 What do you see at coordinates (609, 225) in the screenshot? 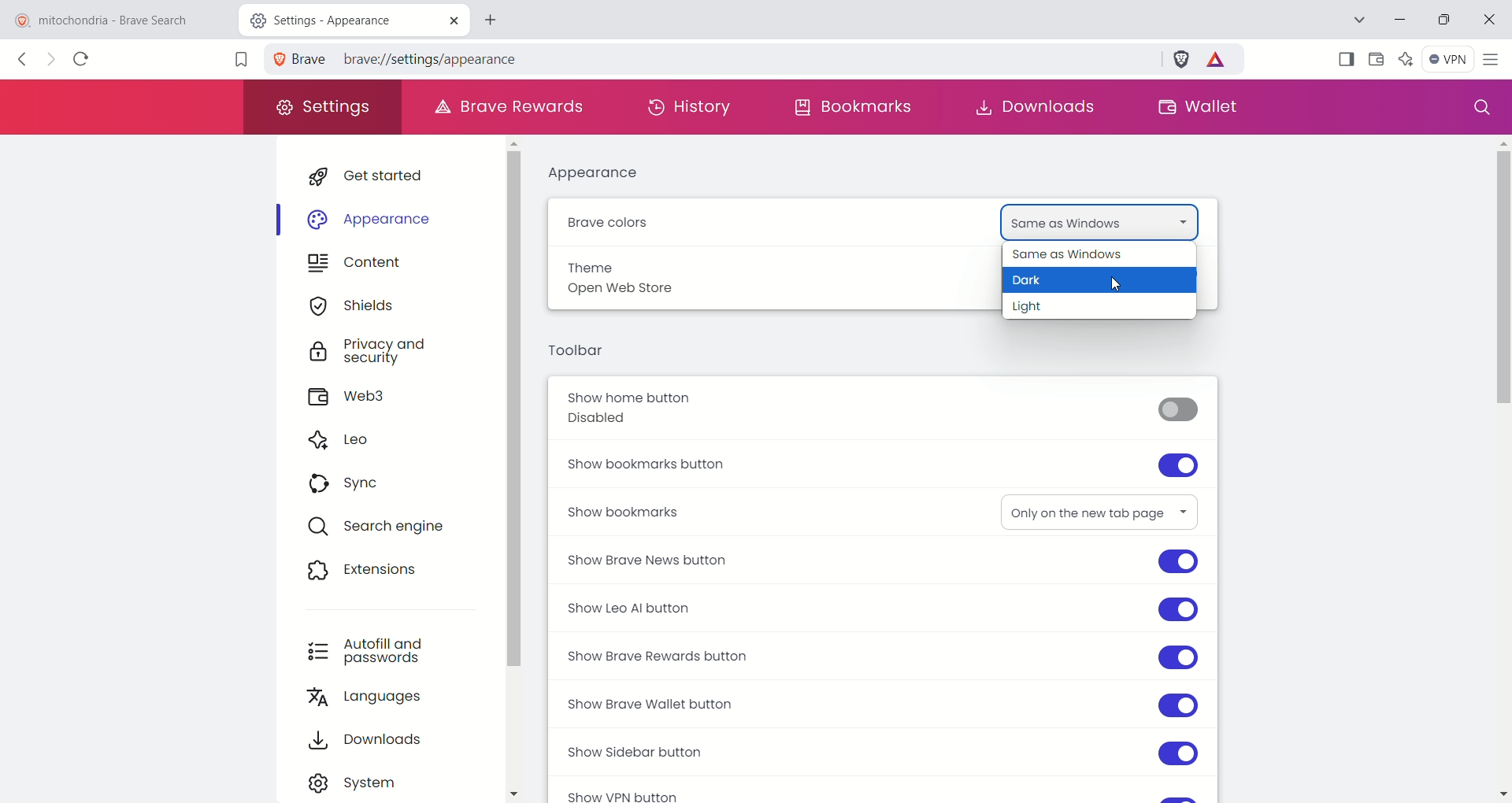
I see `brave colors` at bounding box center [609, 225].